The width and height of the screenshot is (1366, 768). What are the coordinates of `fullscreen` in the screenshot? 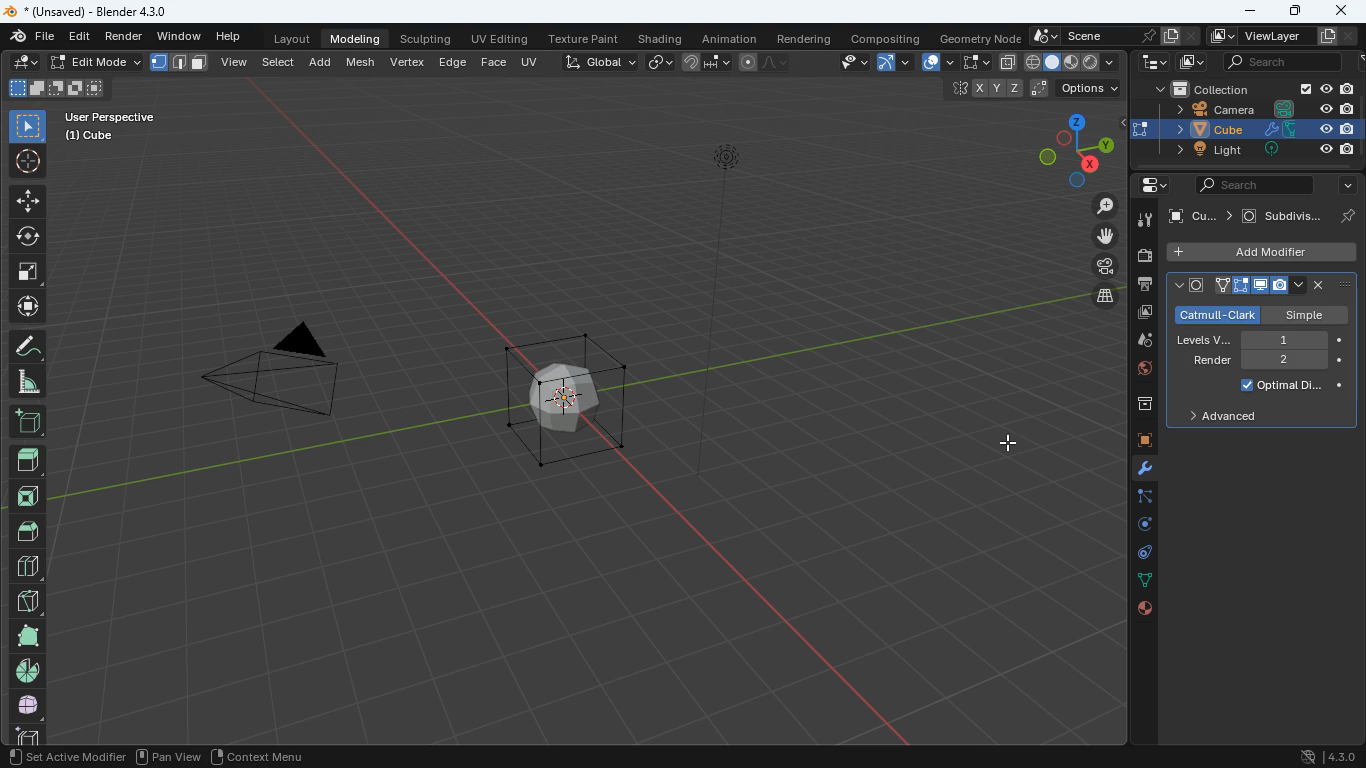 It's located at (26, 272).